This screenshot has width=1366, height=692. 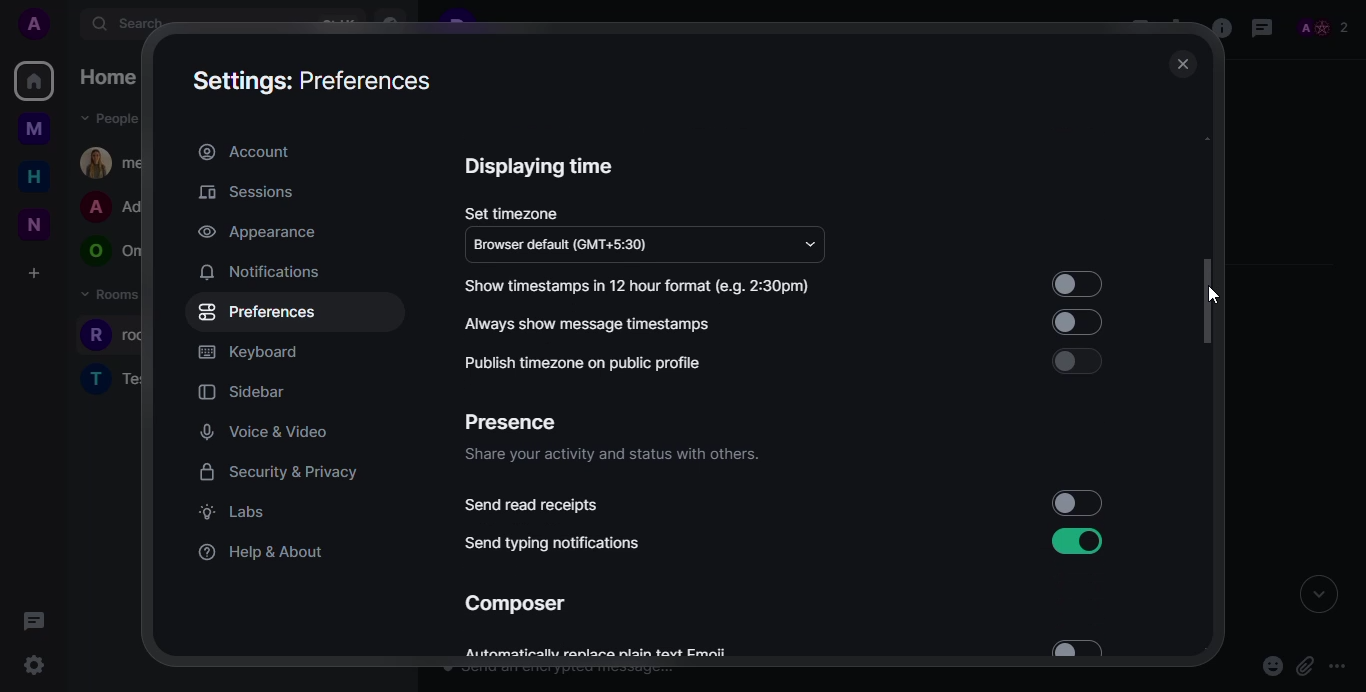 What do you see at coordinates (116, 162) in the screenshot?
I see `my room` at bounding box center [116, 162].